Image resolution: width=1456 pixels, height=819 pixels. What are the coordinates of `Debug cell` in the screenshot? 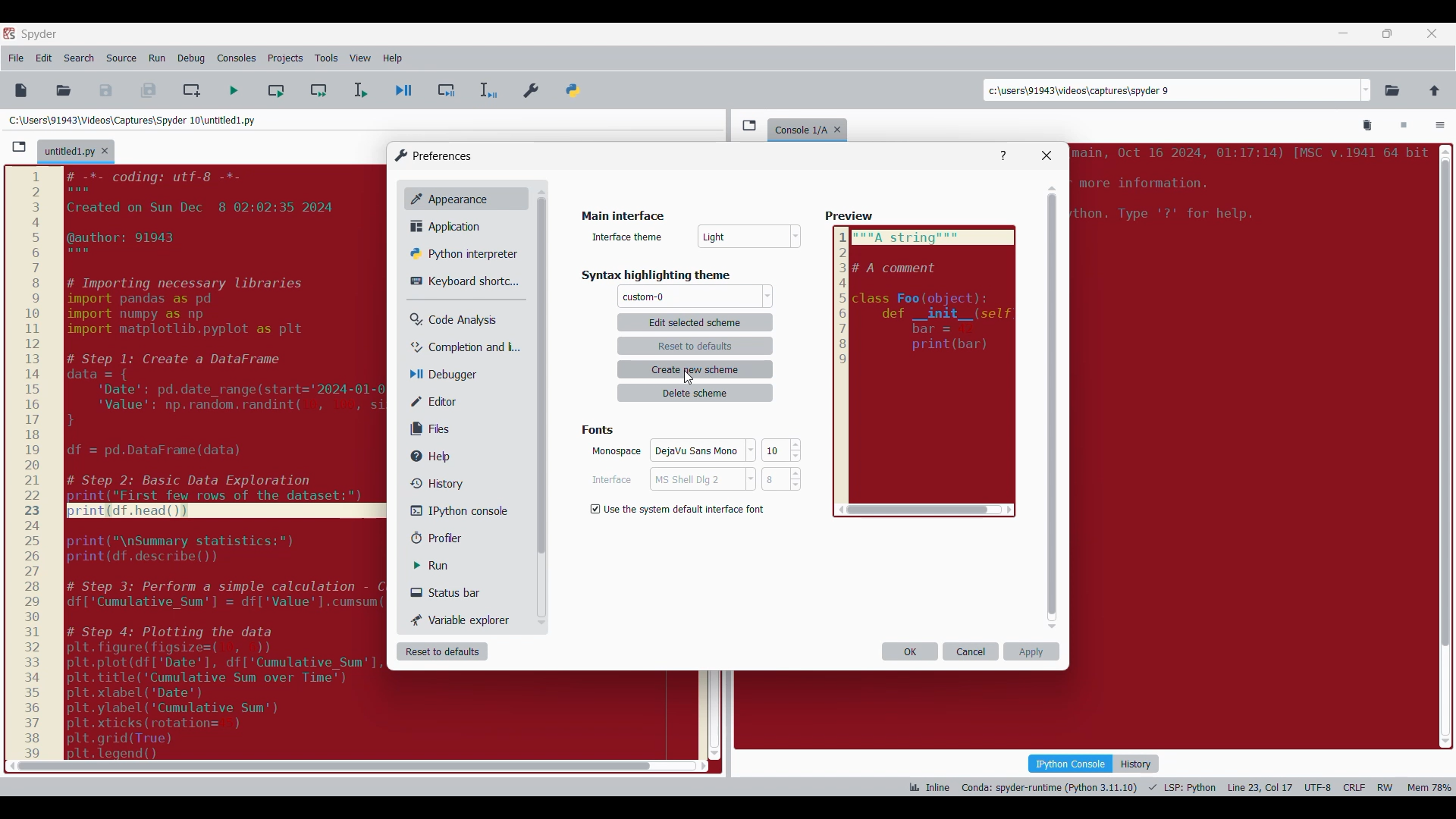 It's located at (447, 90).